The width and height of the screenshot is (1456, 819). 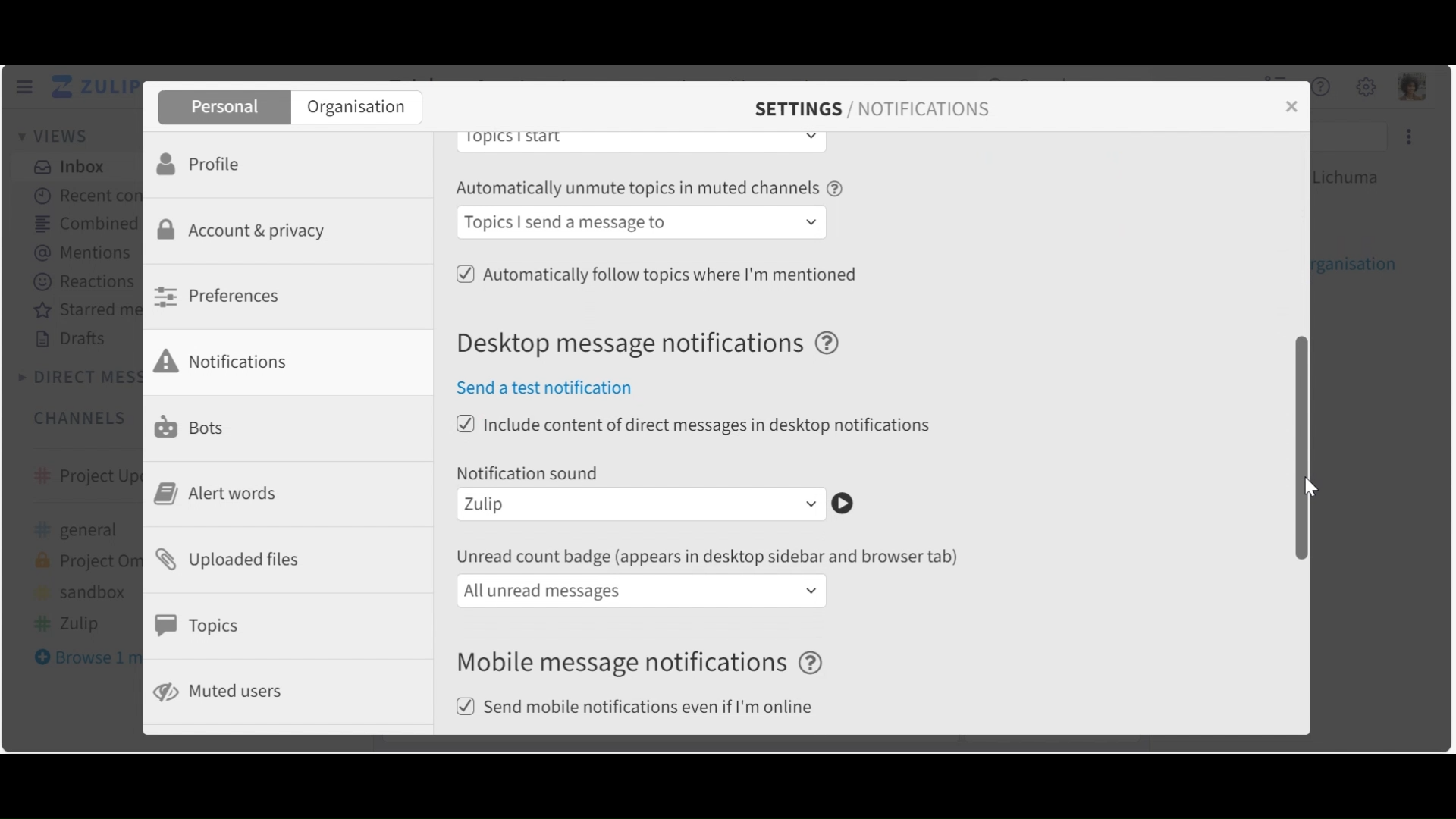 What do you see at coordinates (1297, 114) in the screenshot?
I see `close` at bounding box center [1297, 114].